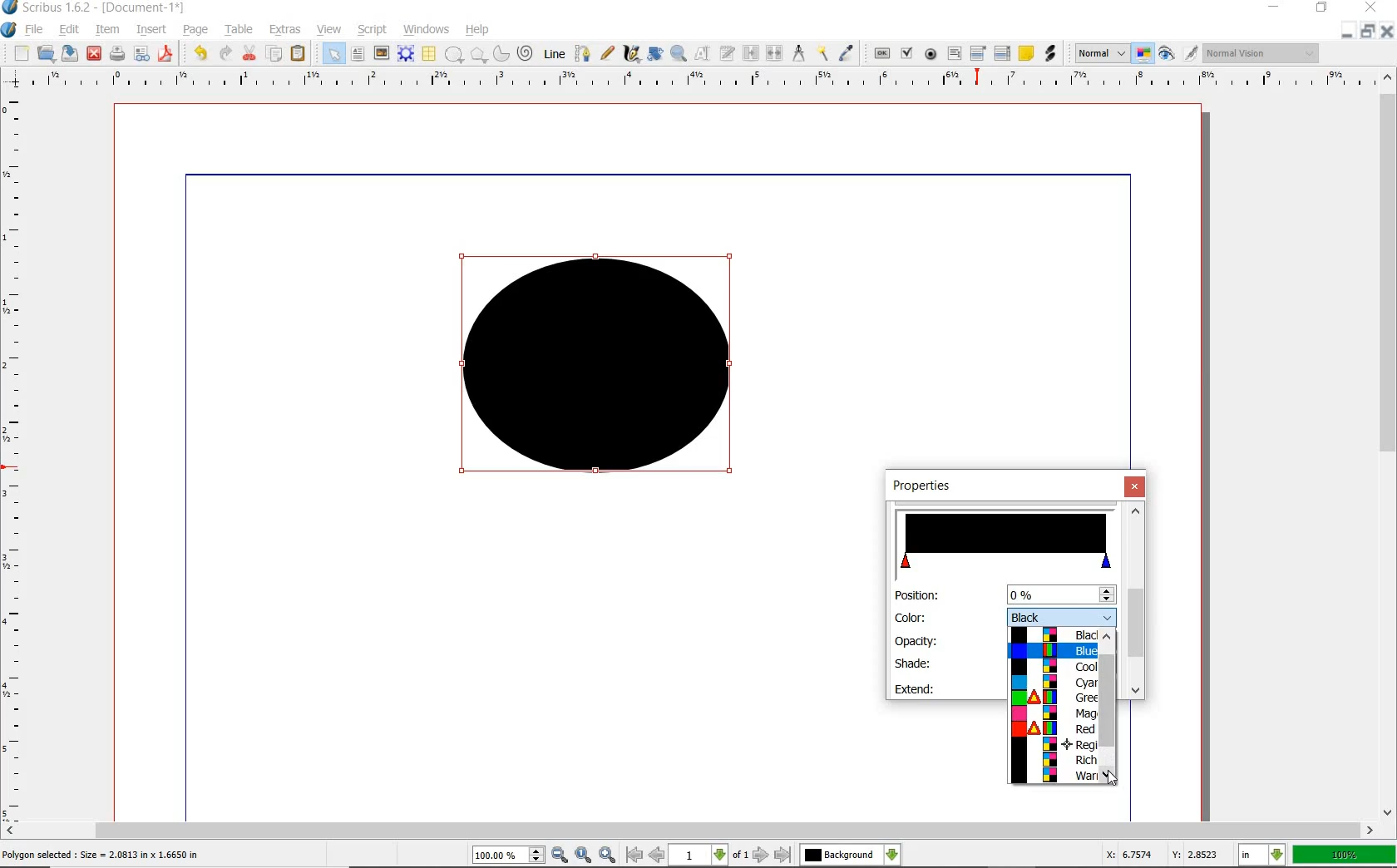 The width and height of the screenshot is (1397, 868). Describe the element at coordinates (601, 372) in the screenshot. I see `gradient added` at that location.